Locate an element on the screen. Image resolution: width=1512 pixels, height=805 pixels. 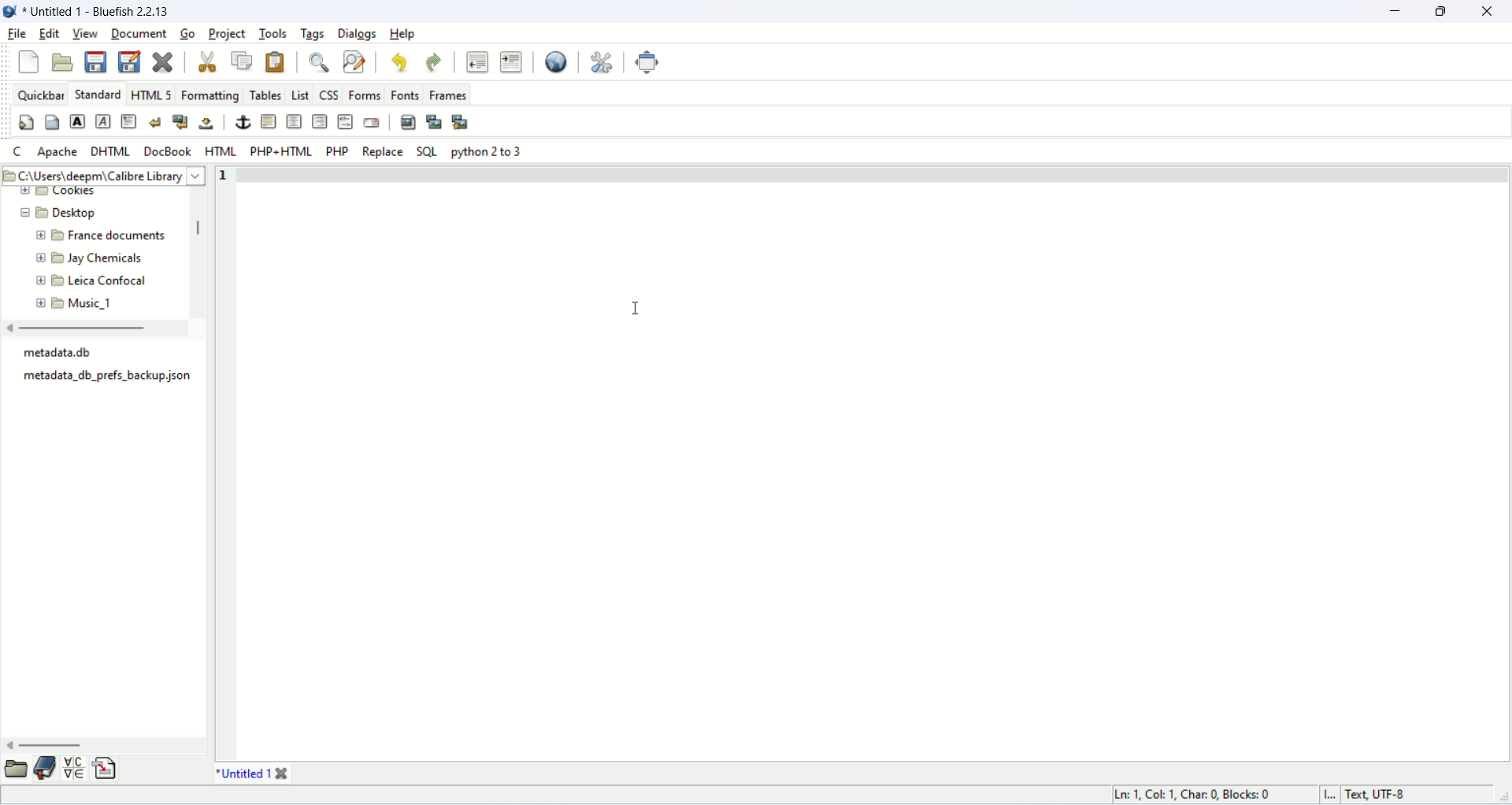
close is located at coordinates (1488, 11).